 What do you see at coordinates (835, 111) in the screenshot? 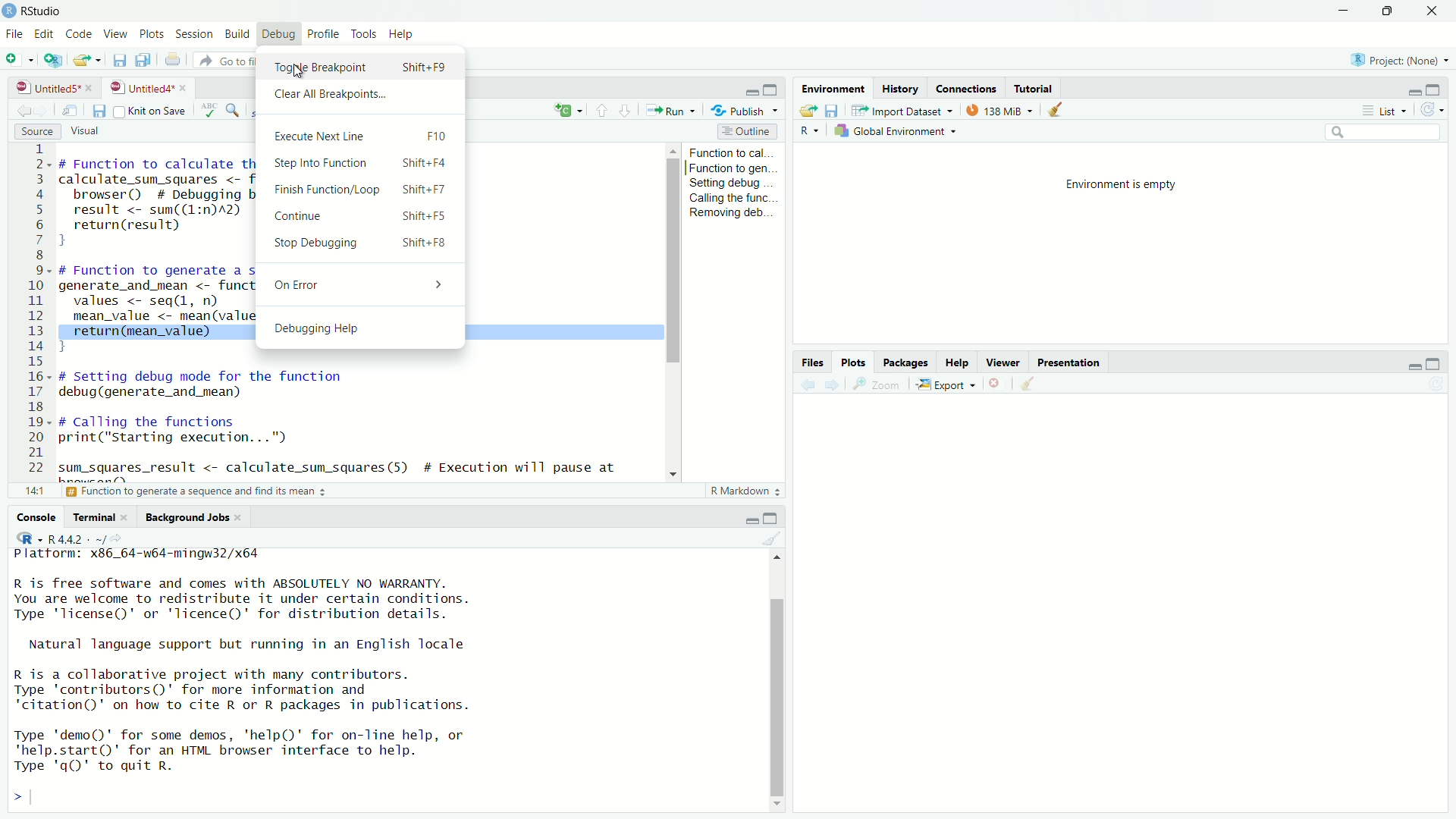
I see `save workspace as` at bounding box center [835, 111].